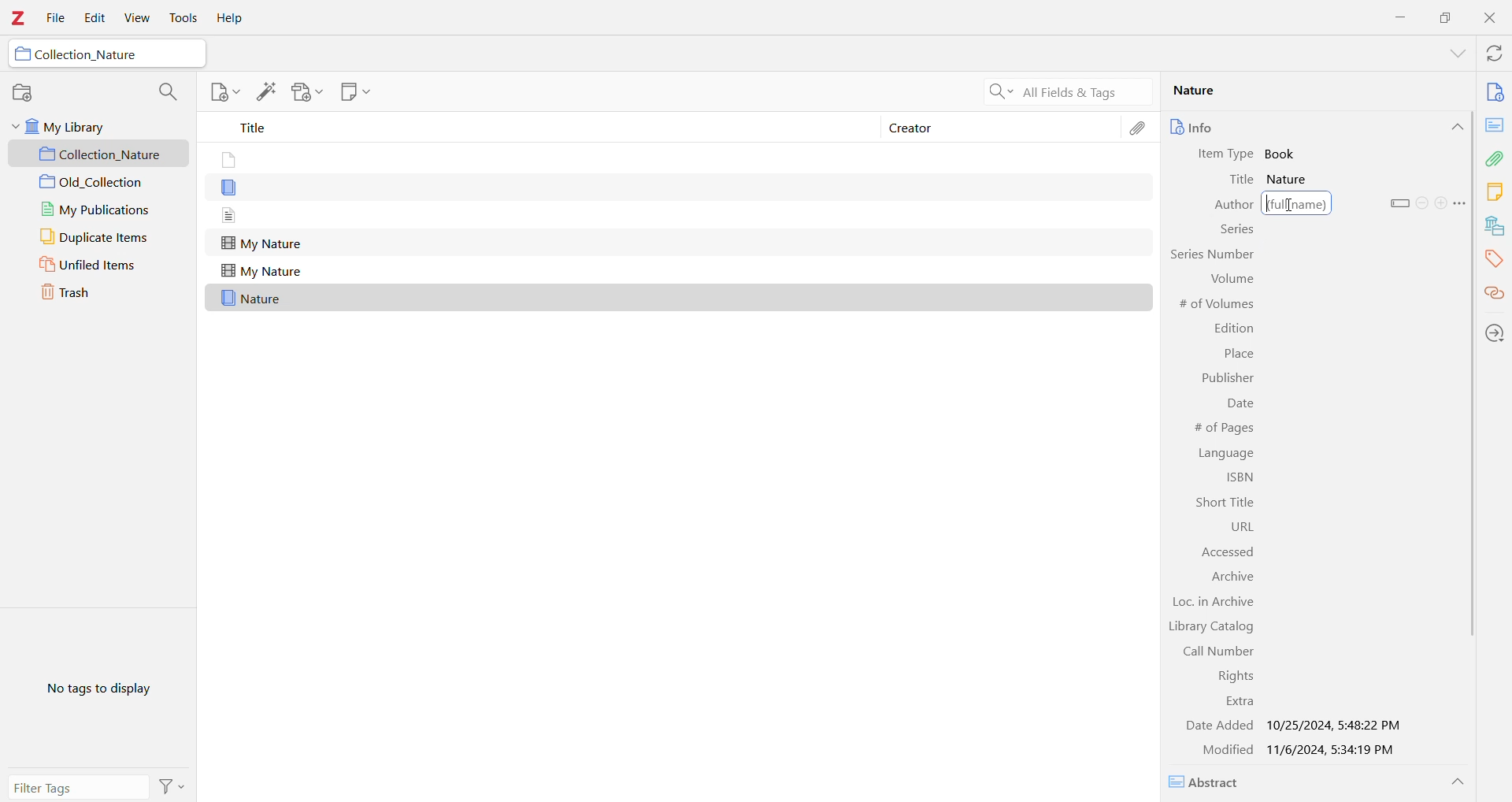 This screenshot has width=1512, height=802. Describe the element at coordinates (1228, 154) in the screenshot. I see `Item Type` at that location.